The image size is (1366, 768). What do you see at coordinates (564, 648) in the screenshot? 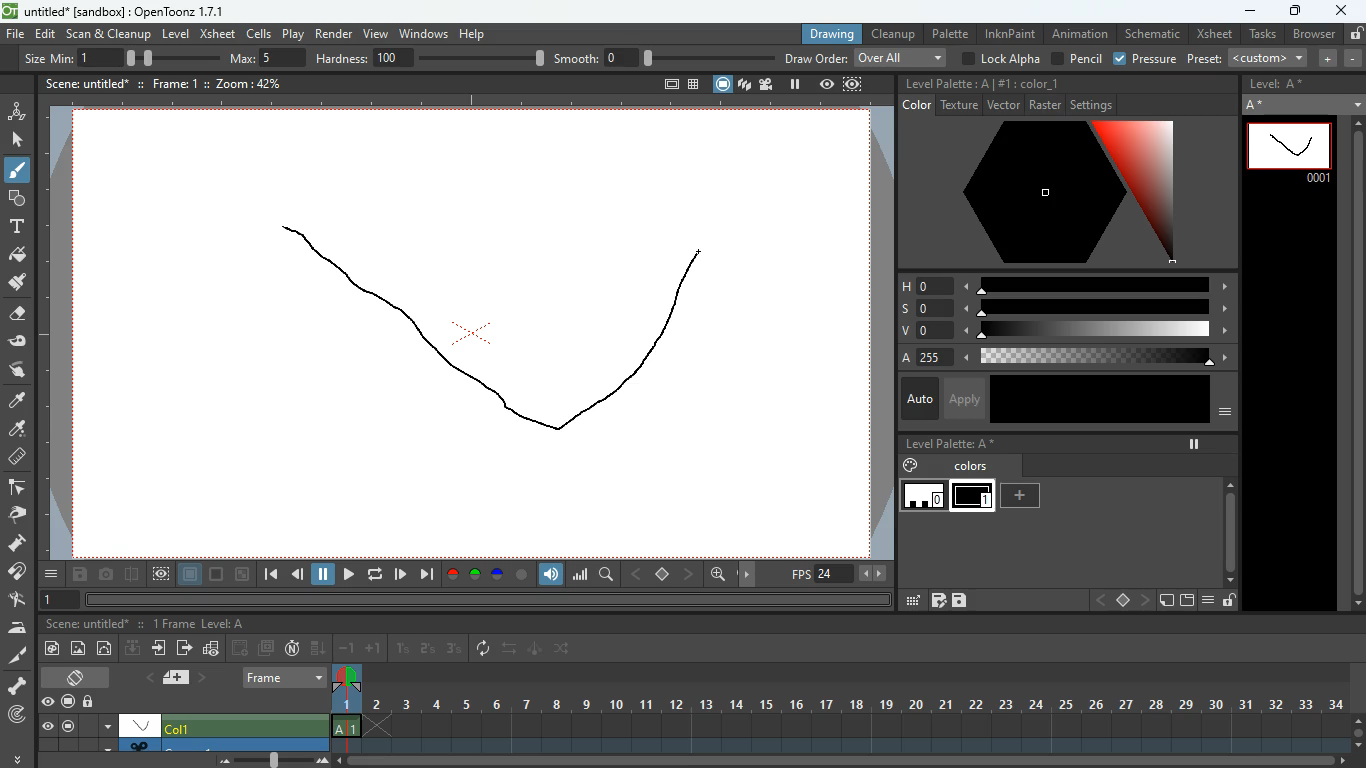
I see `swap` at bounding box center [564, 648].